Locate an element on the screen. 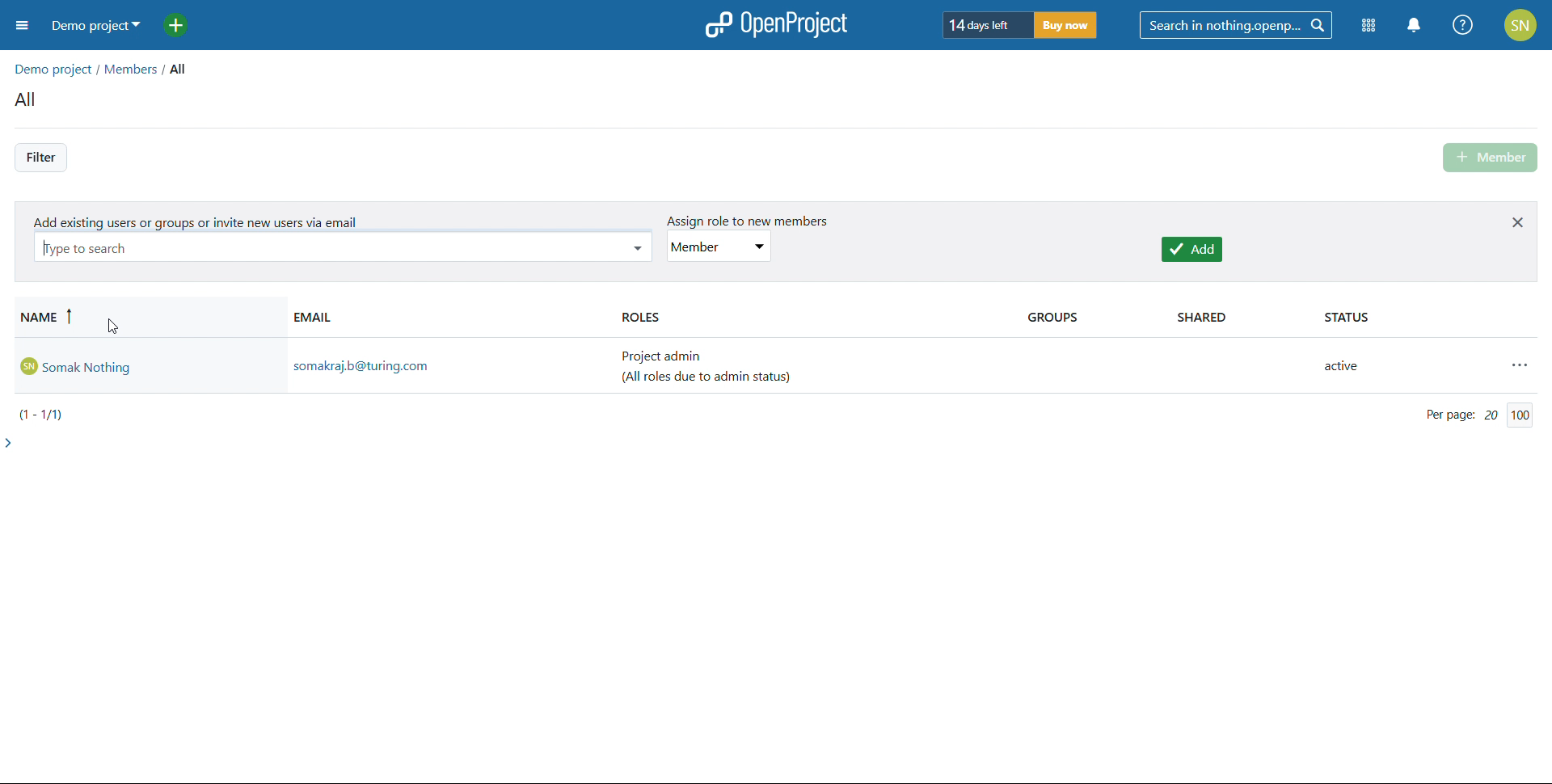  add is located at coordinates (1192, 250).